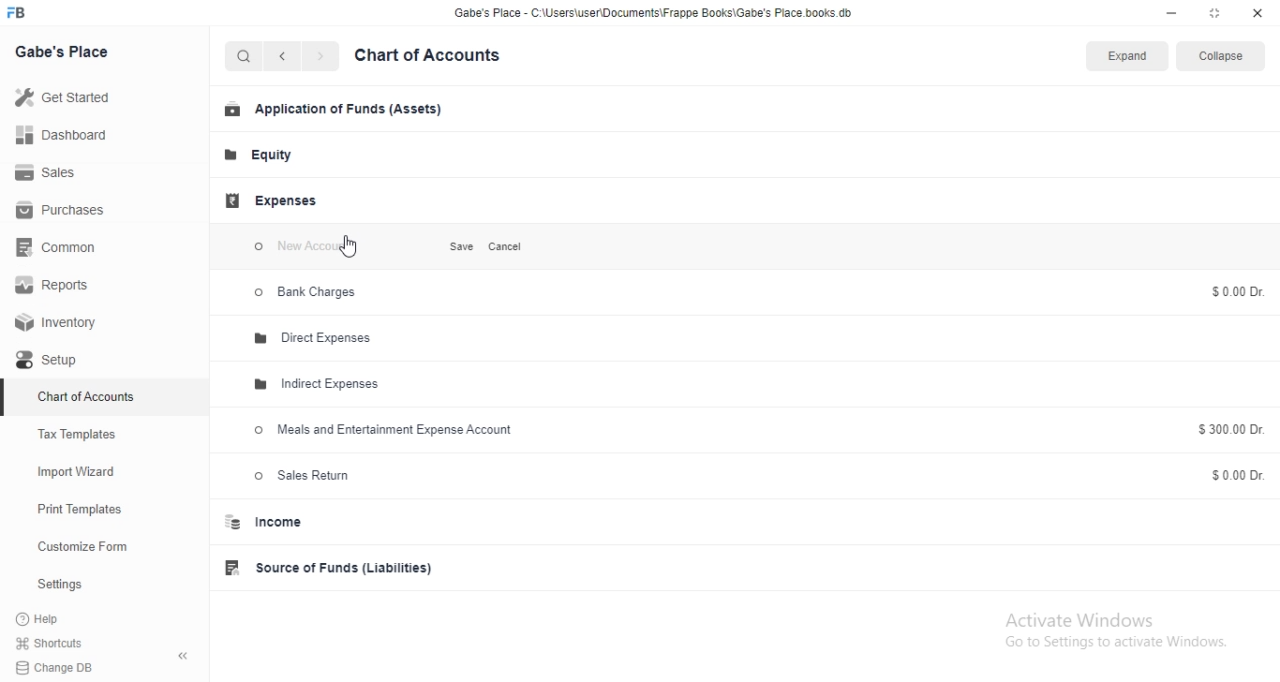  I want to click on Search, so click(246, 57).